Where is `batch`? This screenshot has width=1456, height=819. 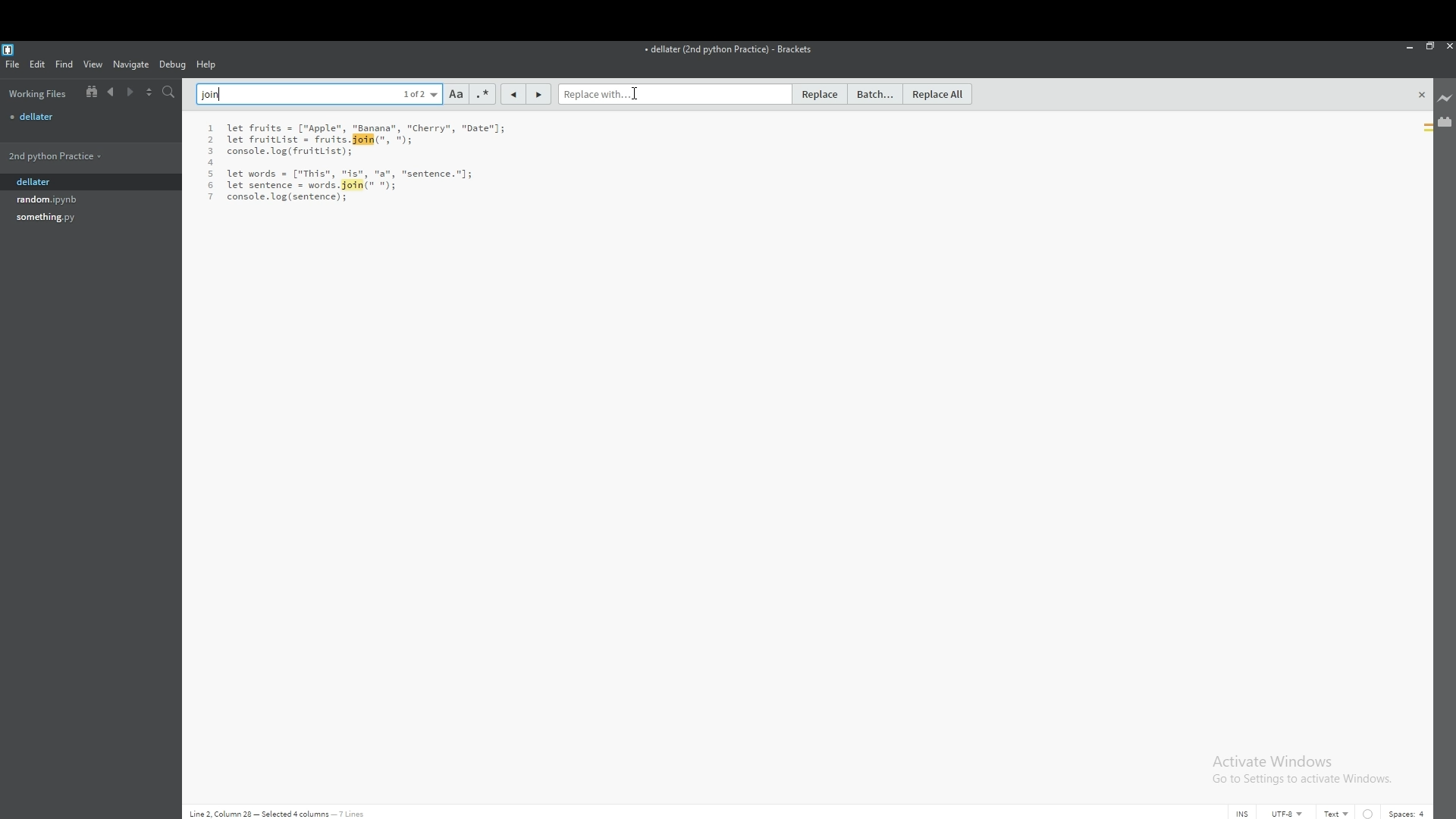
batch is located at coordinates (877, 95).